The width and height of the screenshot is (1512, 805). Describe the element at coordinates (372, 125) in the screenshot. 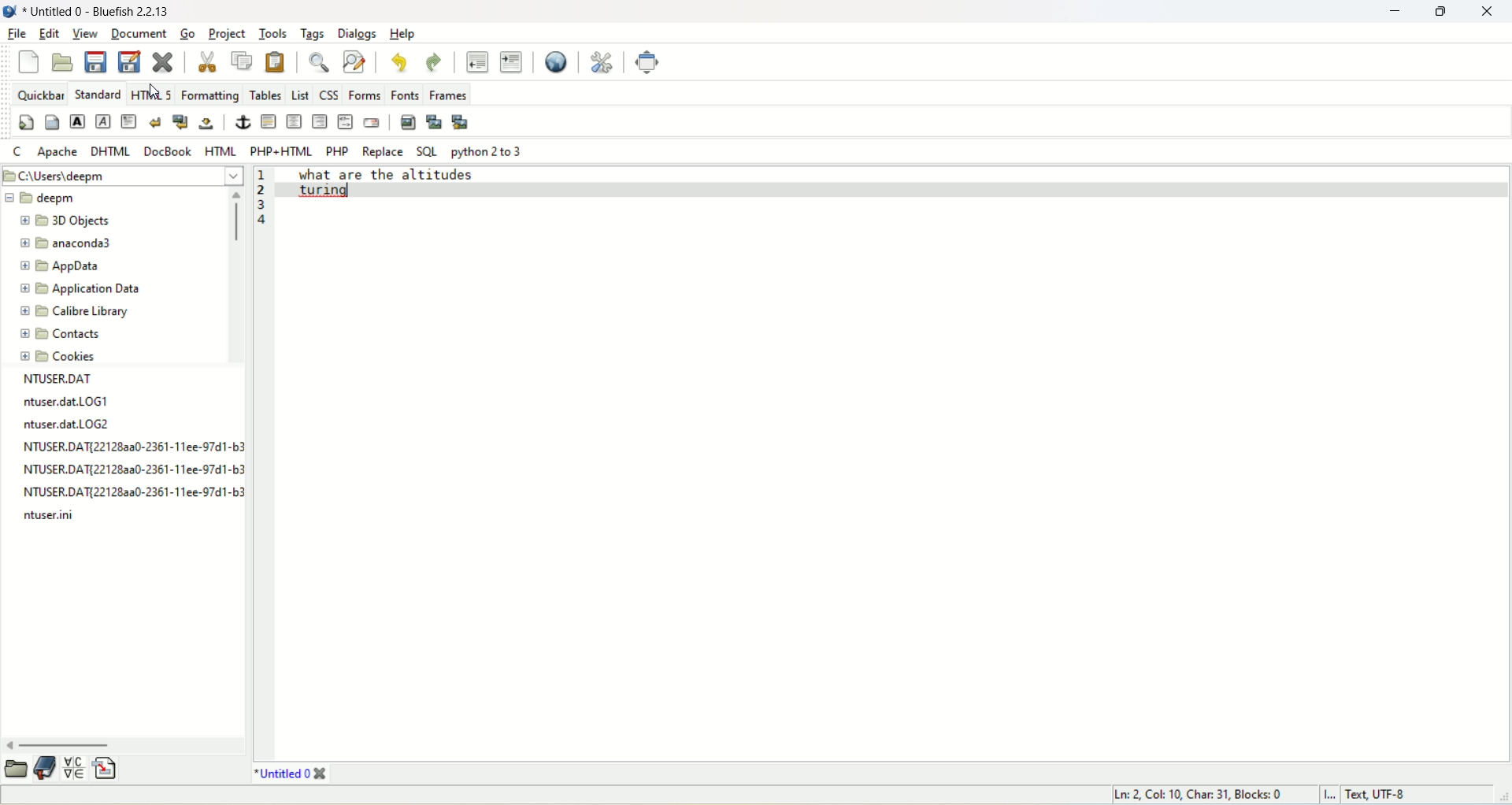

I see `email` at that location.